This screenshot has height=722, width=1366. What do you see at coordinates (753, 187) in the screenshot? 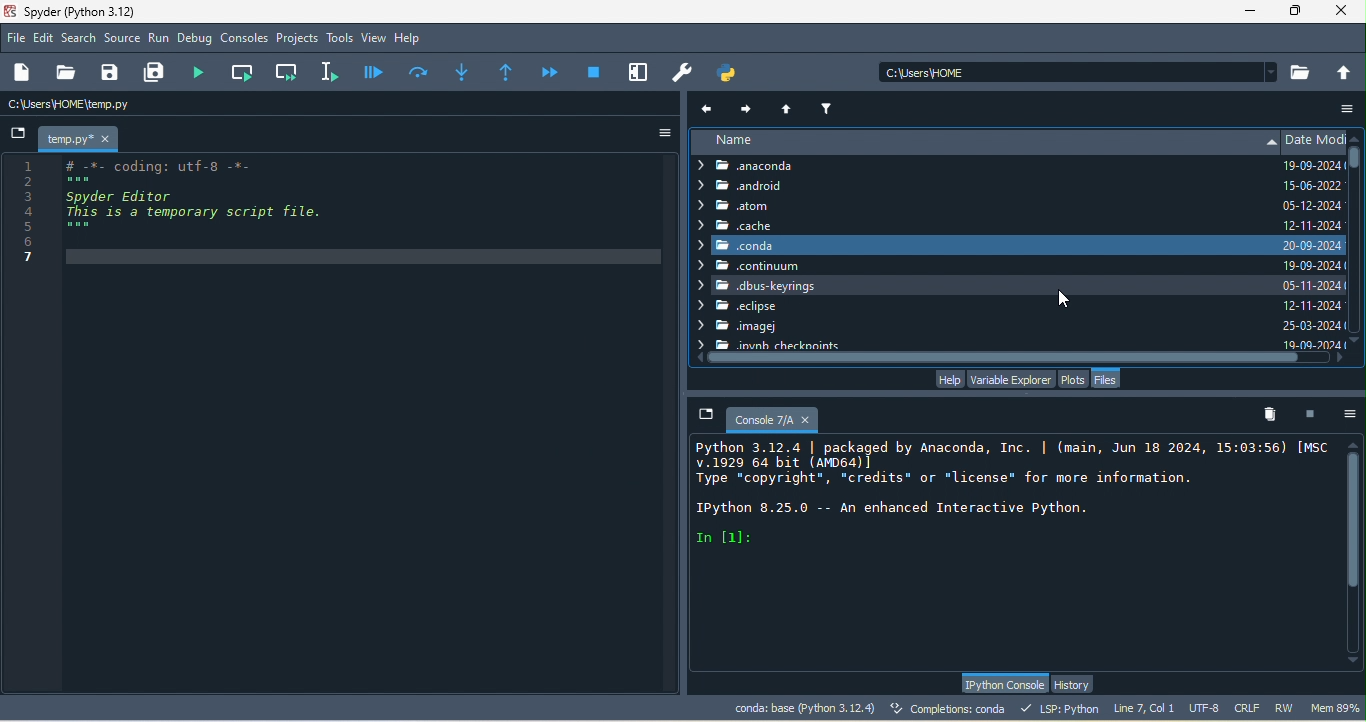
I see `android` at bounding box center [753, 187].